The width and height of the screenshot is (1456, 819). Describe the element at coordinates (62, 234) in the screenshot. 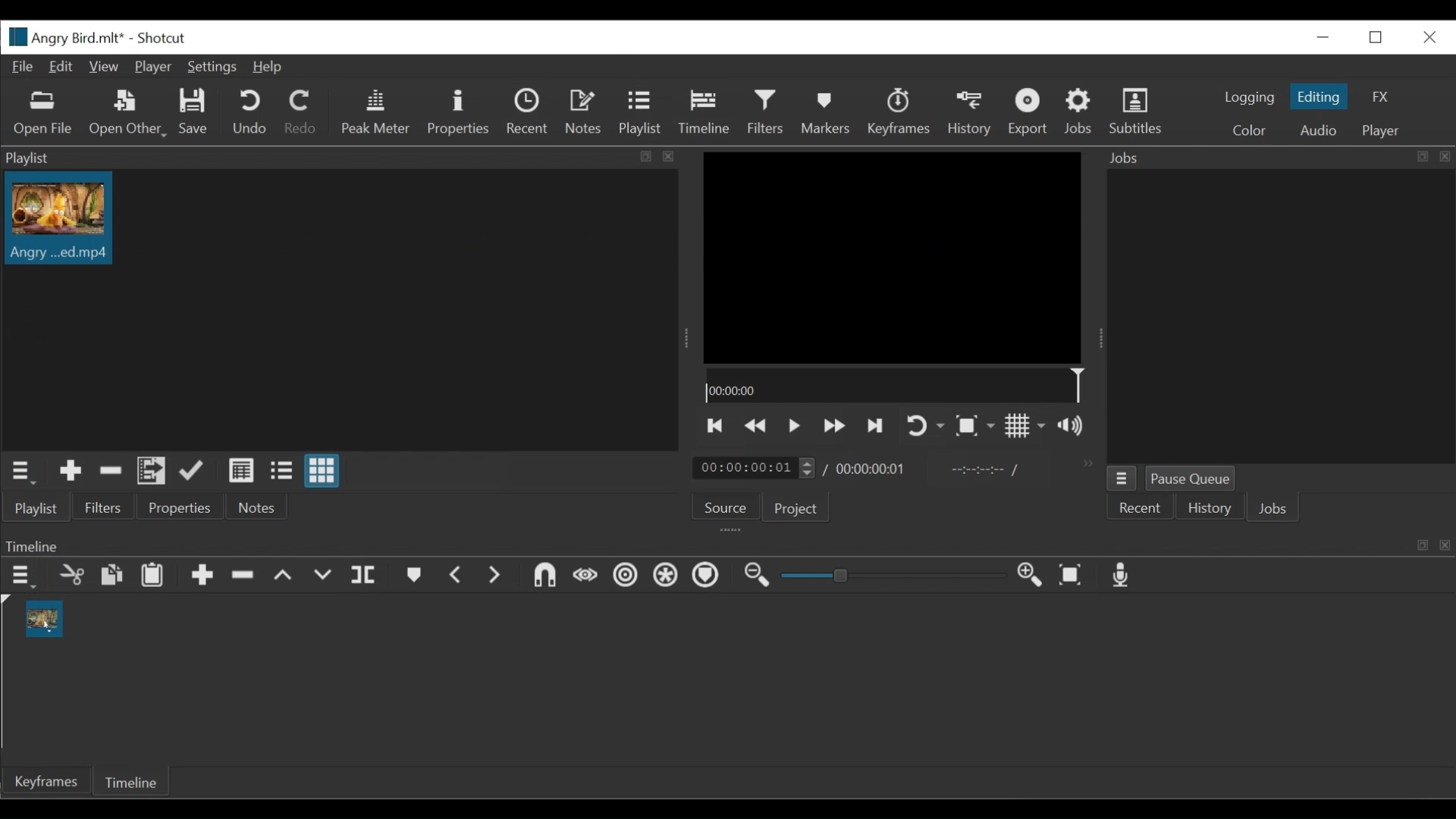

I see `Cursor` at that location.